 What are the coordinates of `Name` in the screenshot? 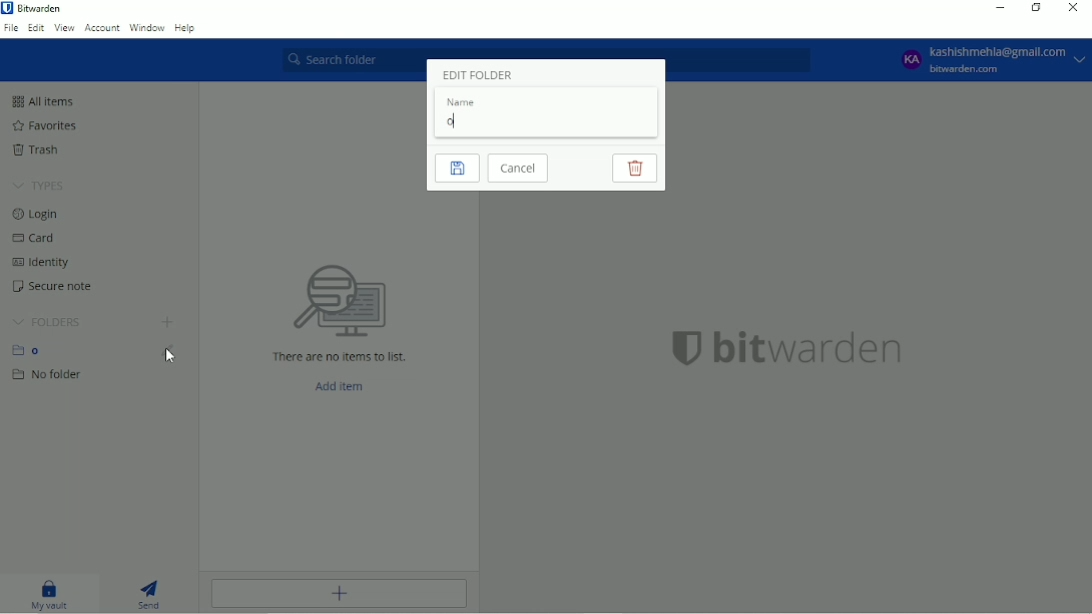 It's located at (463, 102).